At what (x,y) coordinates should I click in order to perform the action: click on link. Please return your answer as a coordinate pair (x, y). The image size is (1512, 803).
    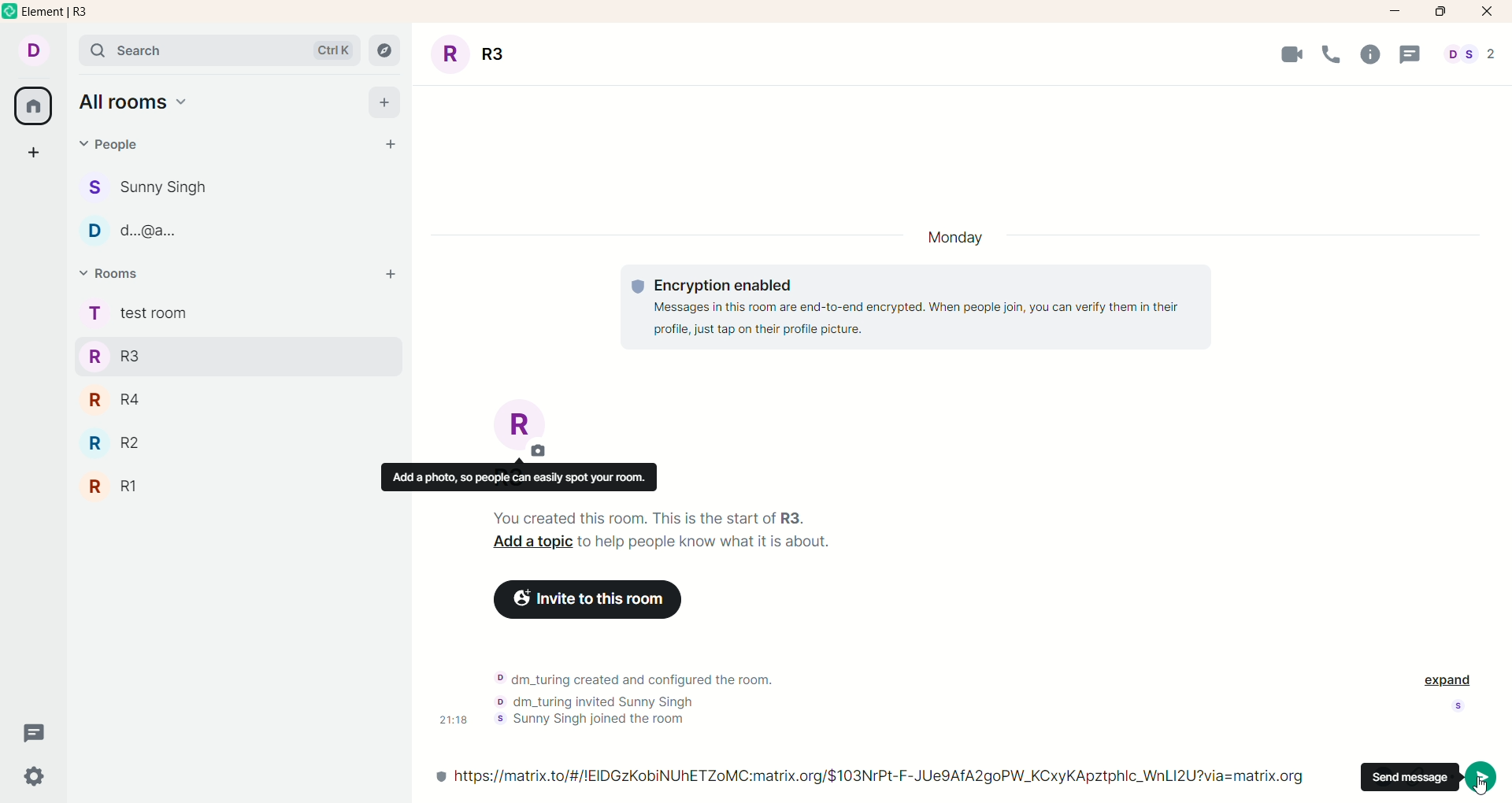
    Looking at the image, I should click on (899, 779).